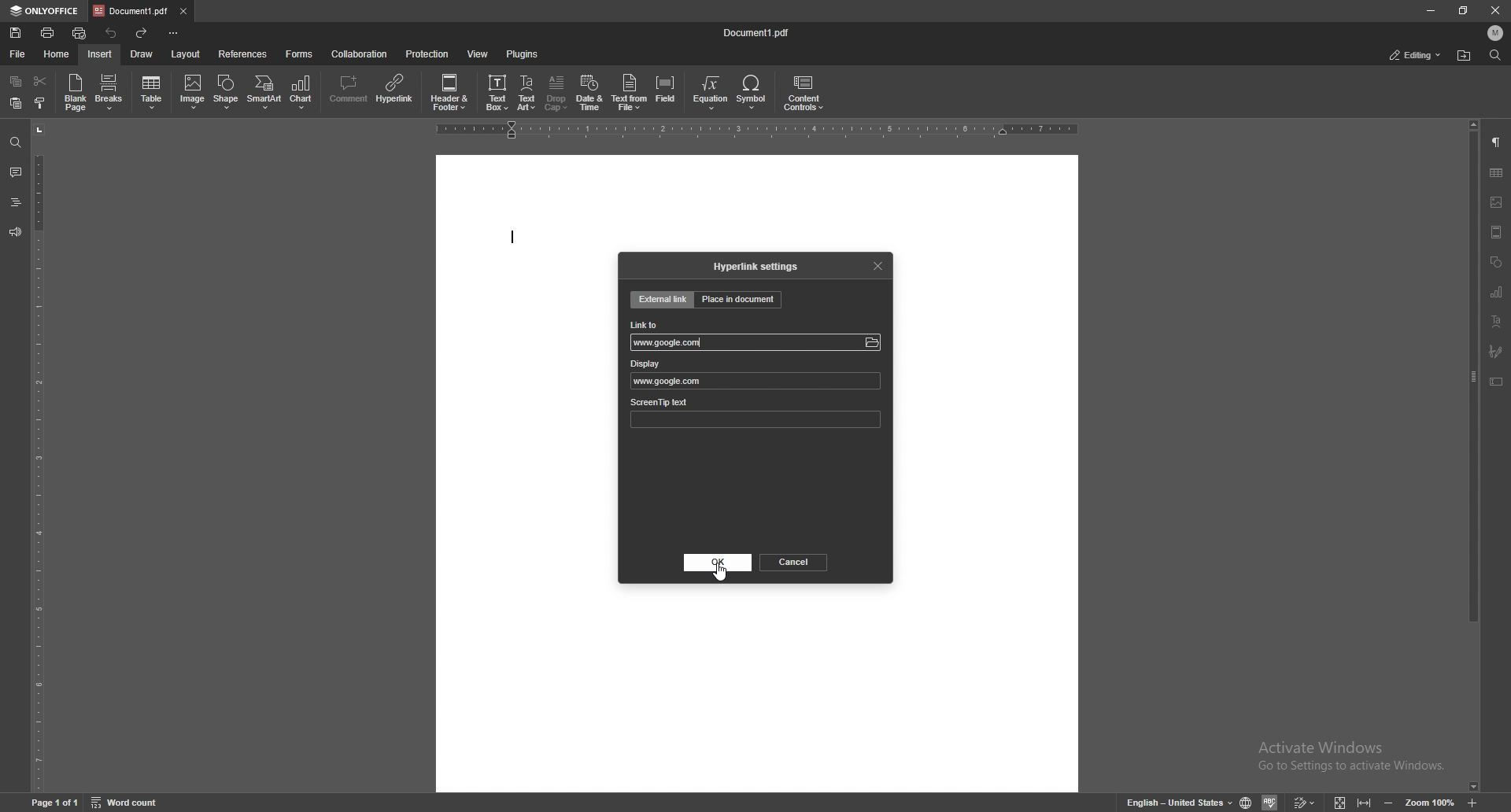 This screenshot has width=1511, height=812. I want to click on screentip input, so click(730, 422).